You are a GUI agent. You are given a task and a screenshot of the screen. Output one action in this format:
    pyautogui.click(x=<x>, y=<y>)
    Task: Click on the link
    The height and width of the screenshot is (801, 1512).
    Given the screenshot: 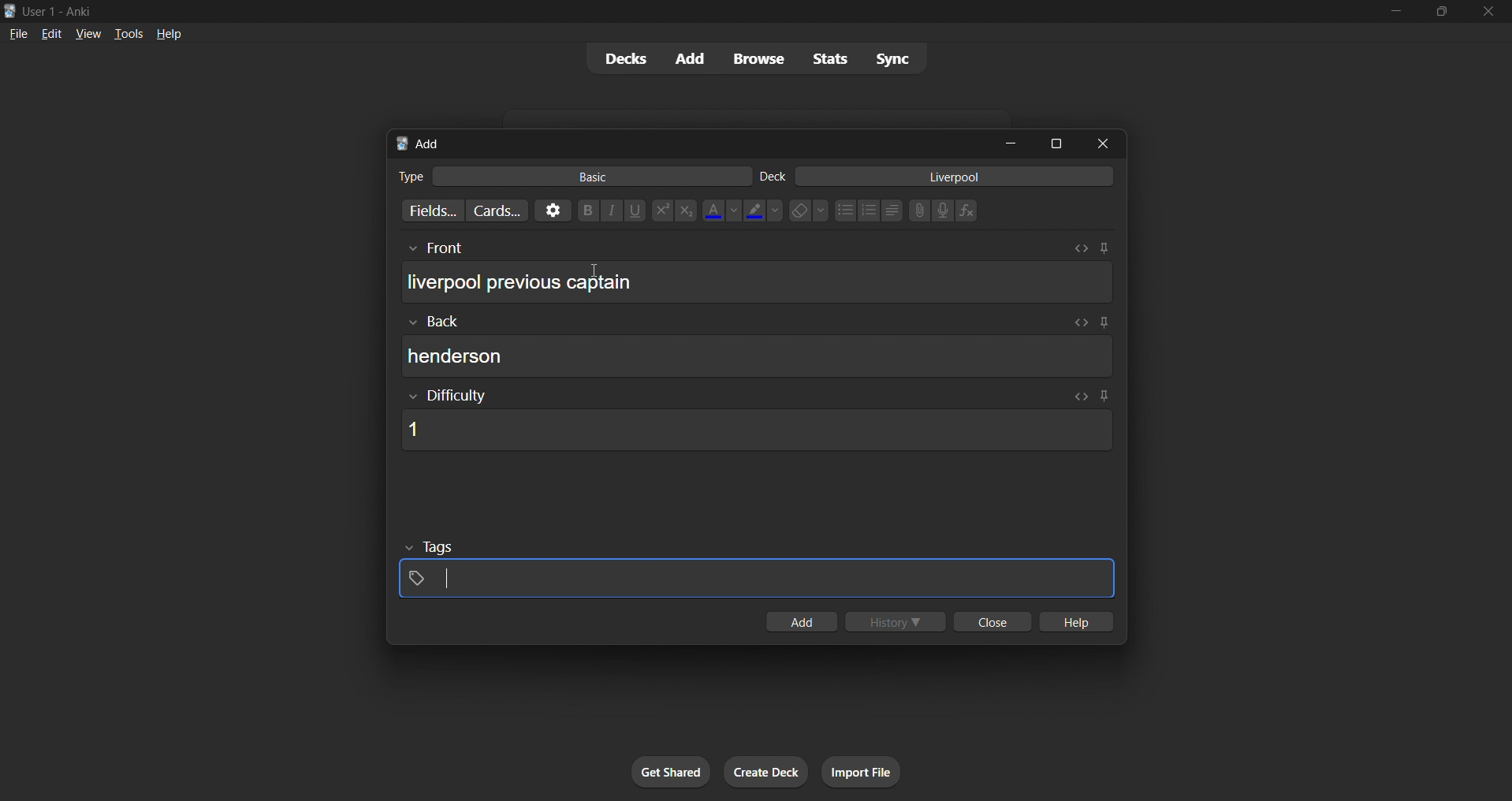 What is the action you would take?
    pyautogui.click(x=918, y=212)
    